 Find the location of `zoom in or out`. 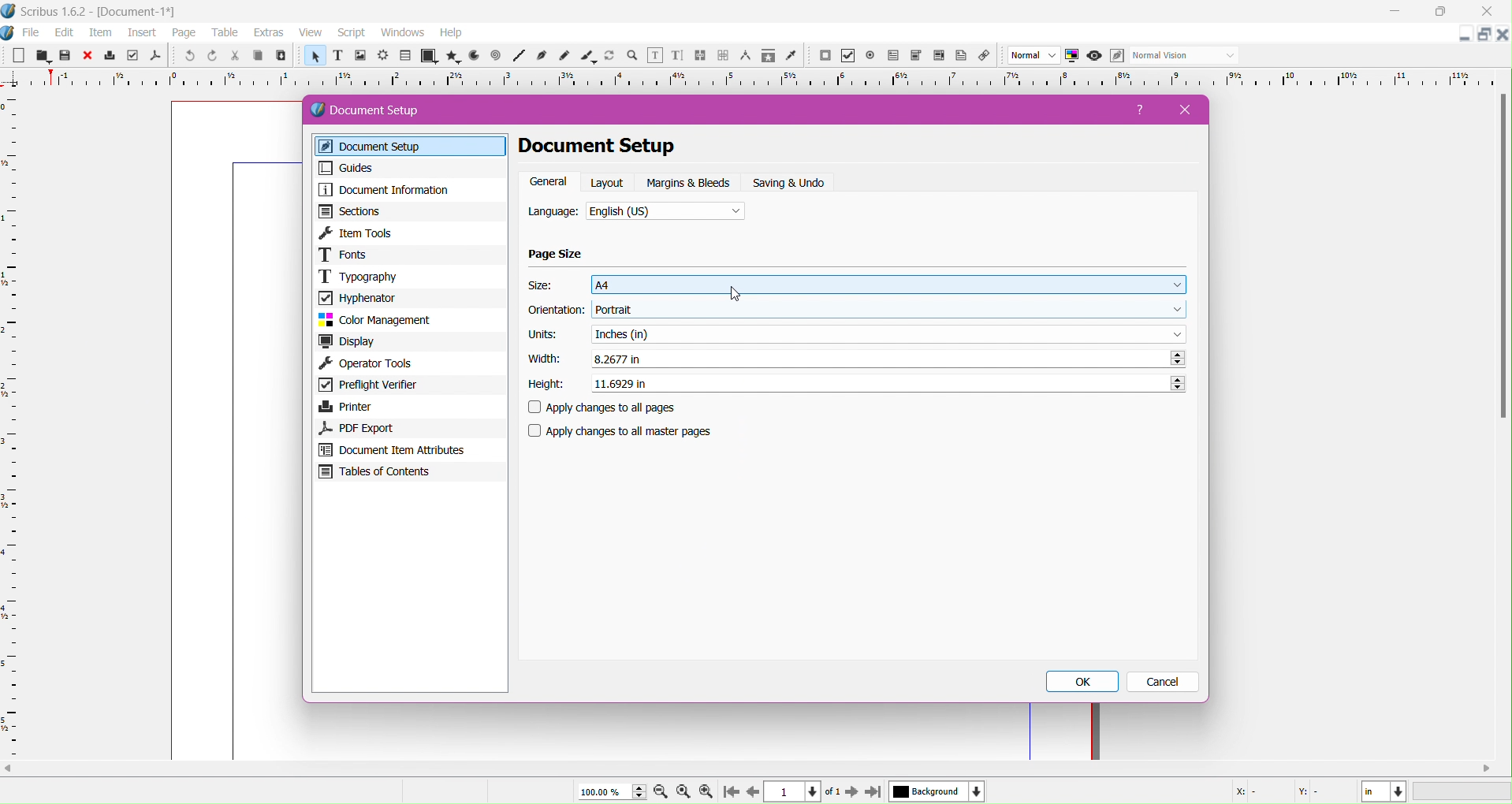

zoom in or out is located at coordinates (634, 57).